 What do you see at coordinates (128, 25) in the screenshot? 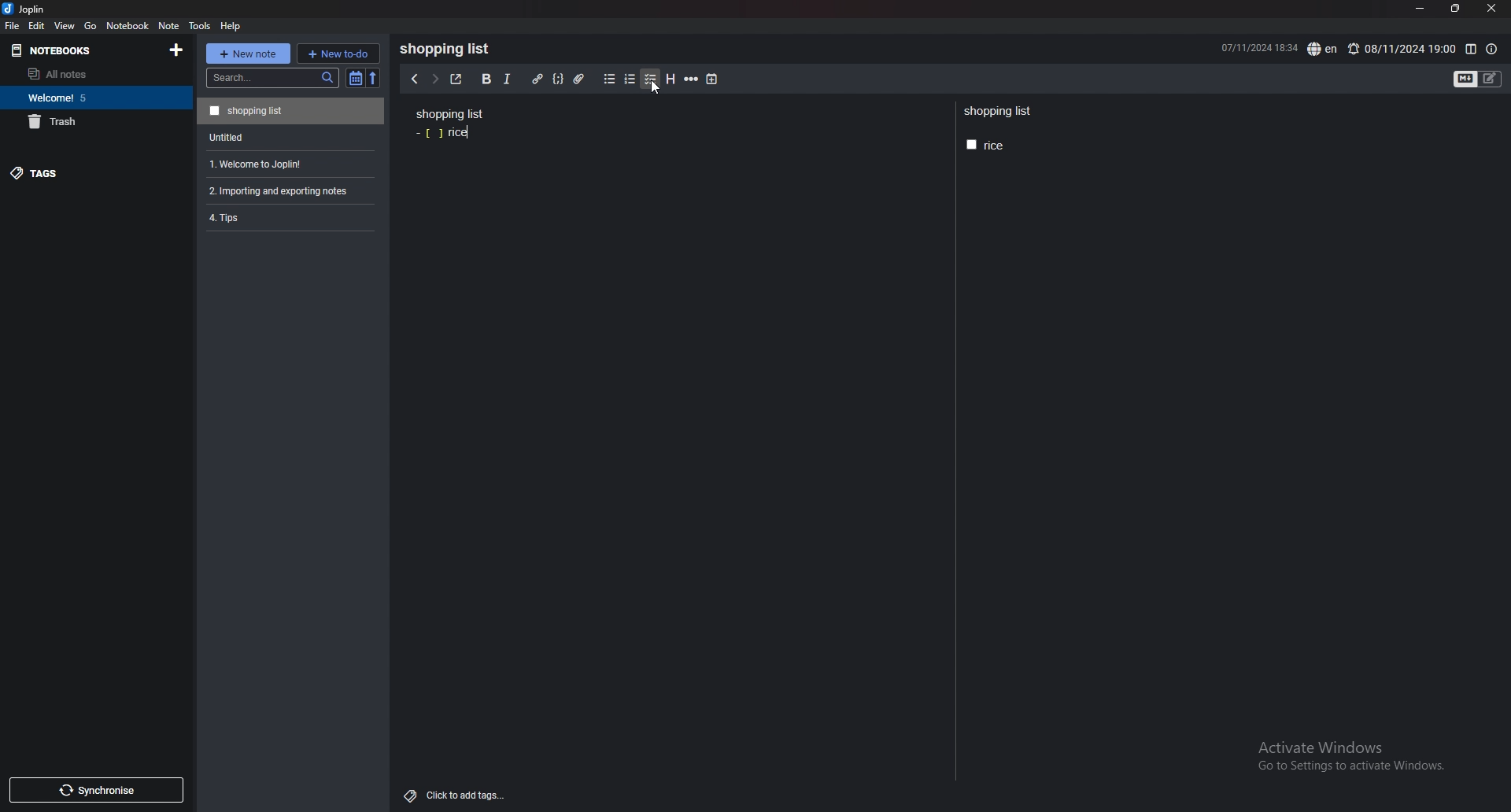
I see `notebook` at bounding box center [128, 25].